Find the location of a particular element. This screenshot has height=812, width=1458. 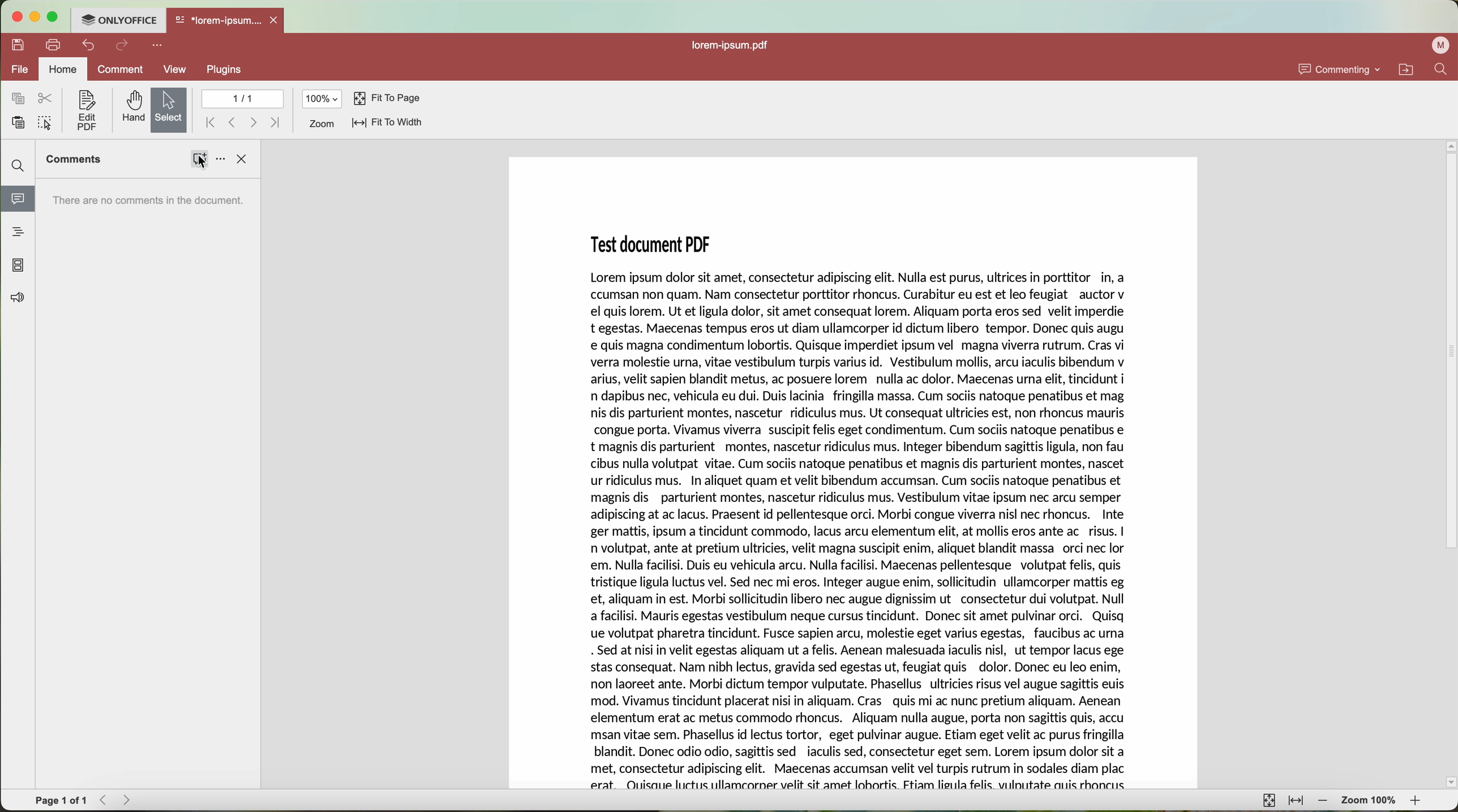

selected is located at coordinates (170, 110).